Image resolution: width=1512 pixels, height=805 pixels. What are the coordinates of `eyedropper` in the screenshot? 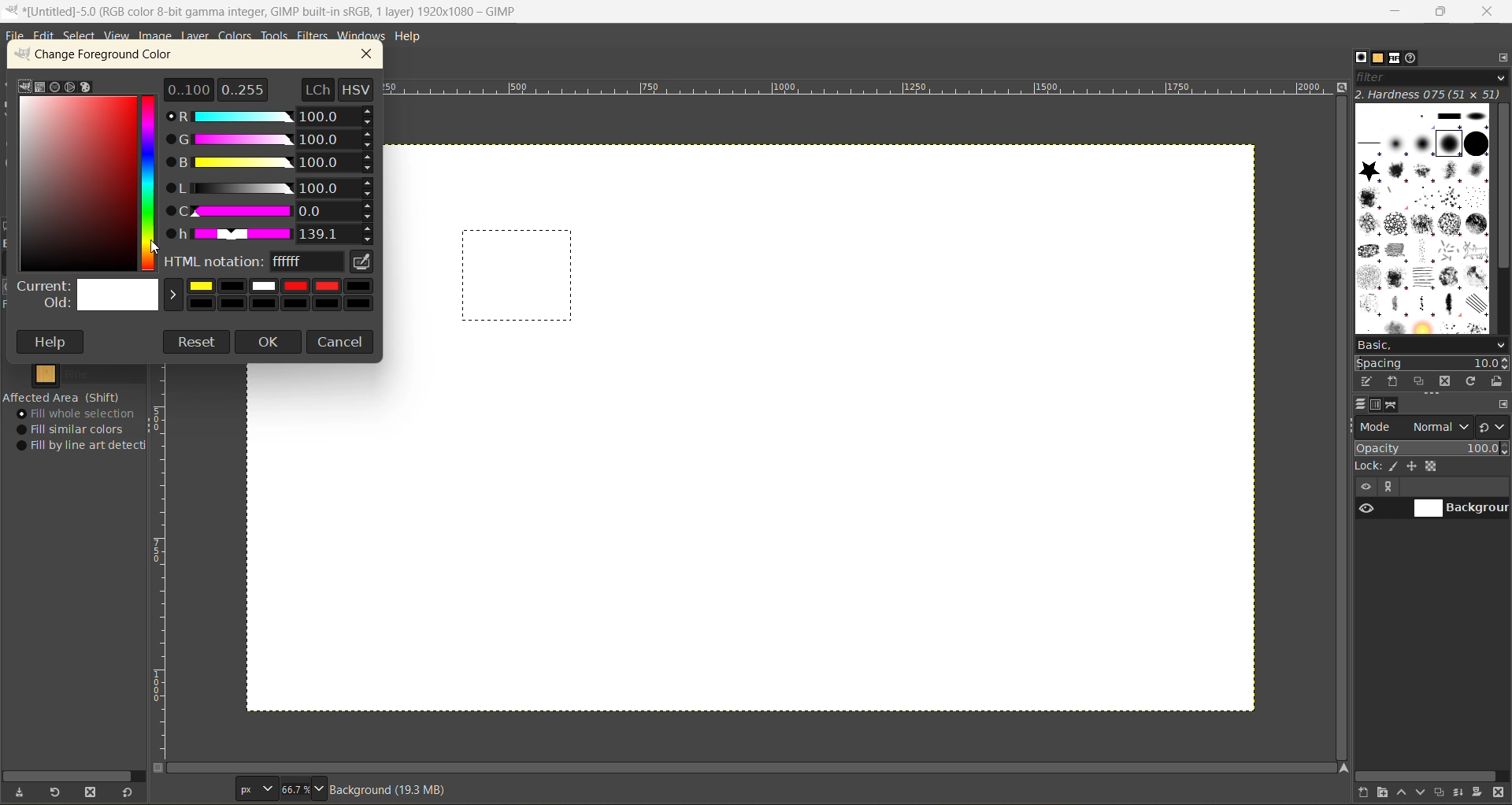 It's located at (363, 262).